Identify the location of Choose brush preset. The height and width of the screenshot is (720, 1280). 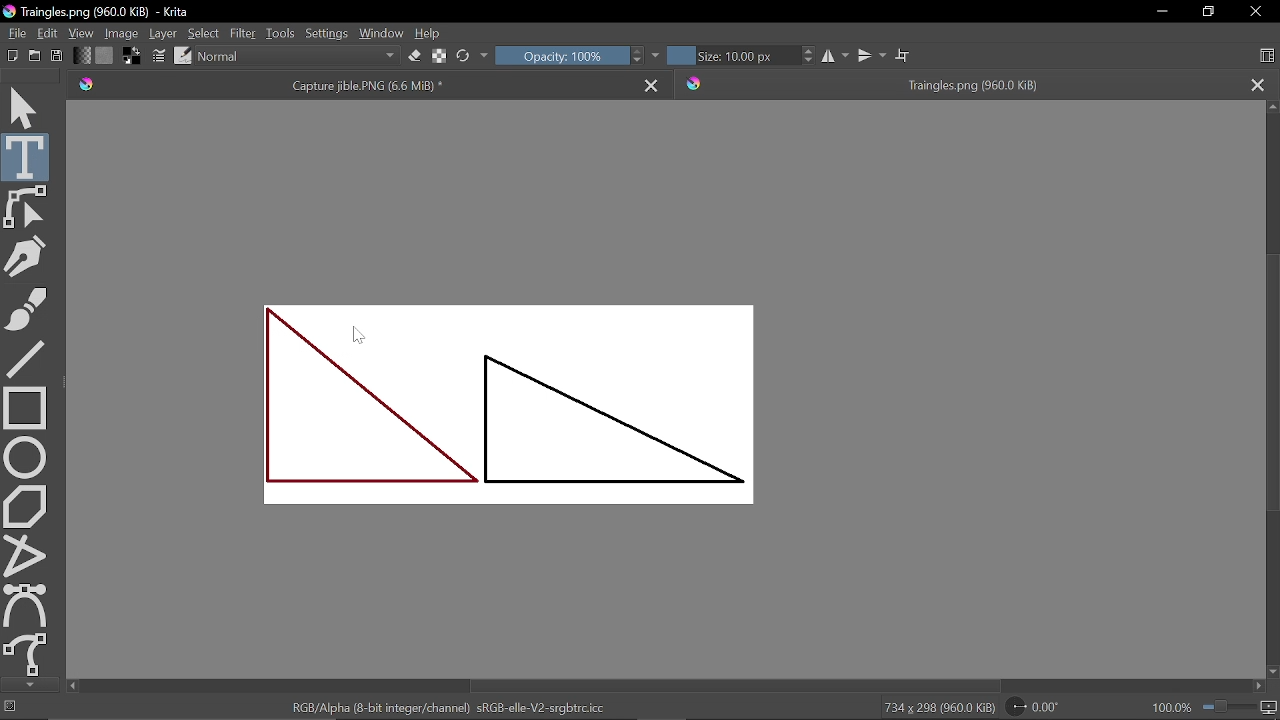
(183, 55).